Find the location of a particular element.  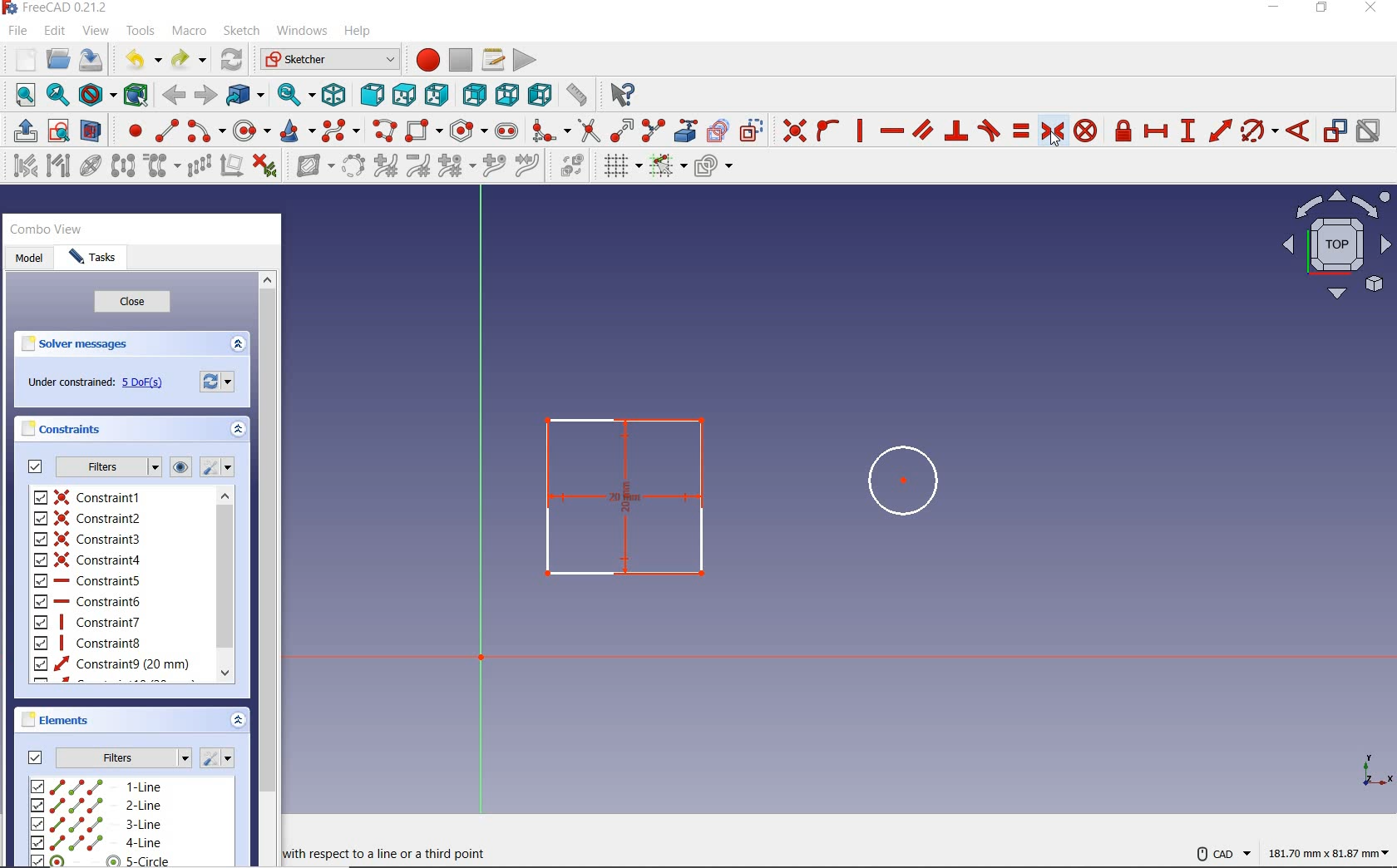

constrain horizontal distance is located at coordinates (1157, 131).